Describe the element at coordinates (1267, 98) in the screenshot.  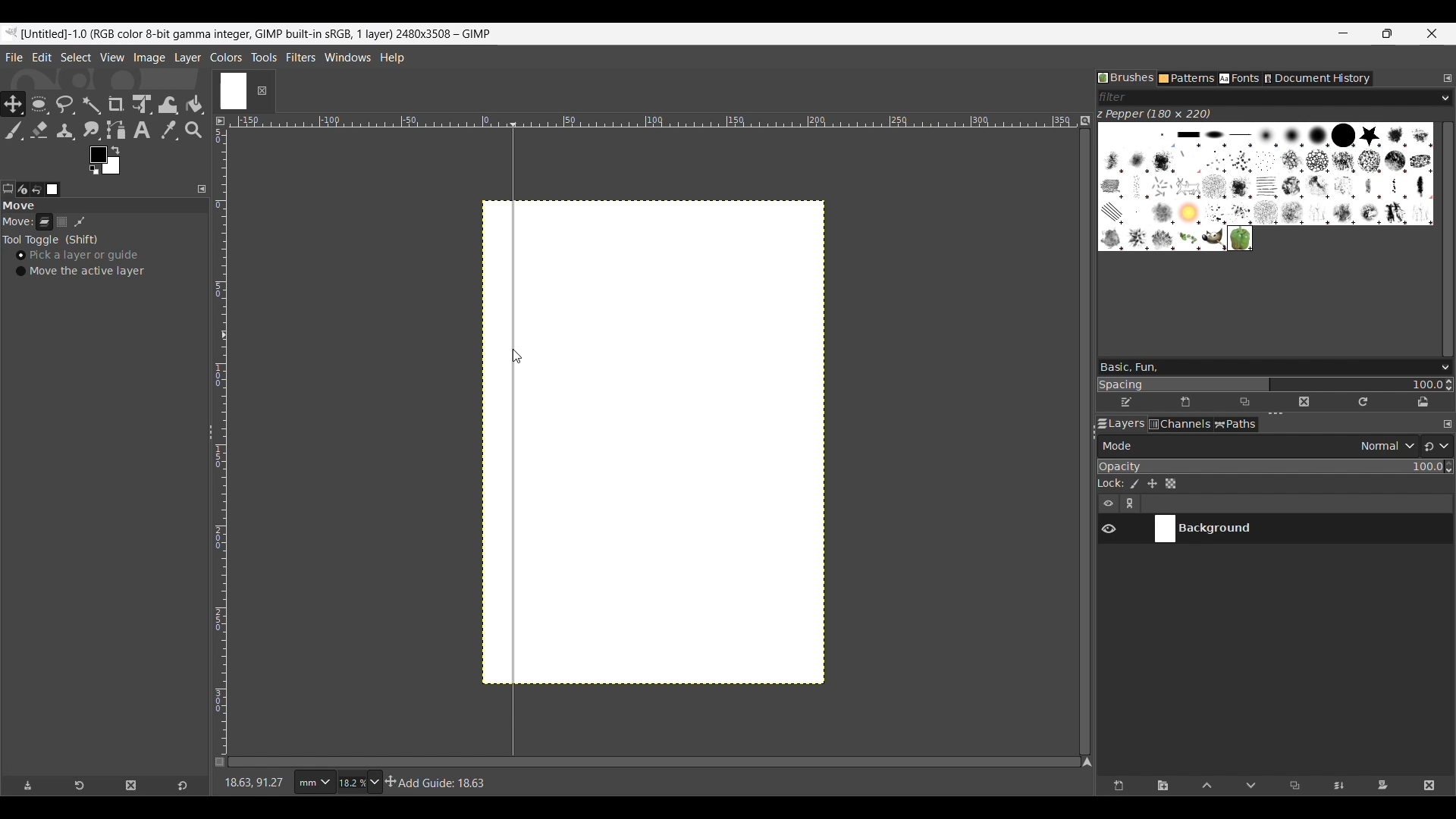
I see `Type in brush filter` at that location.